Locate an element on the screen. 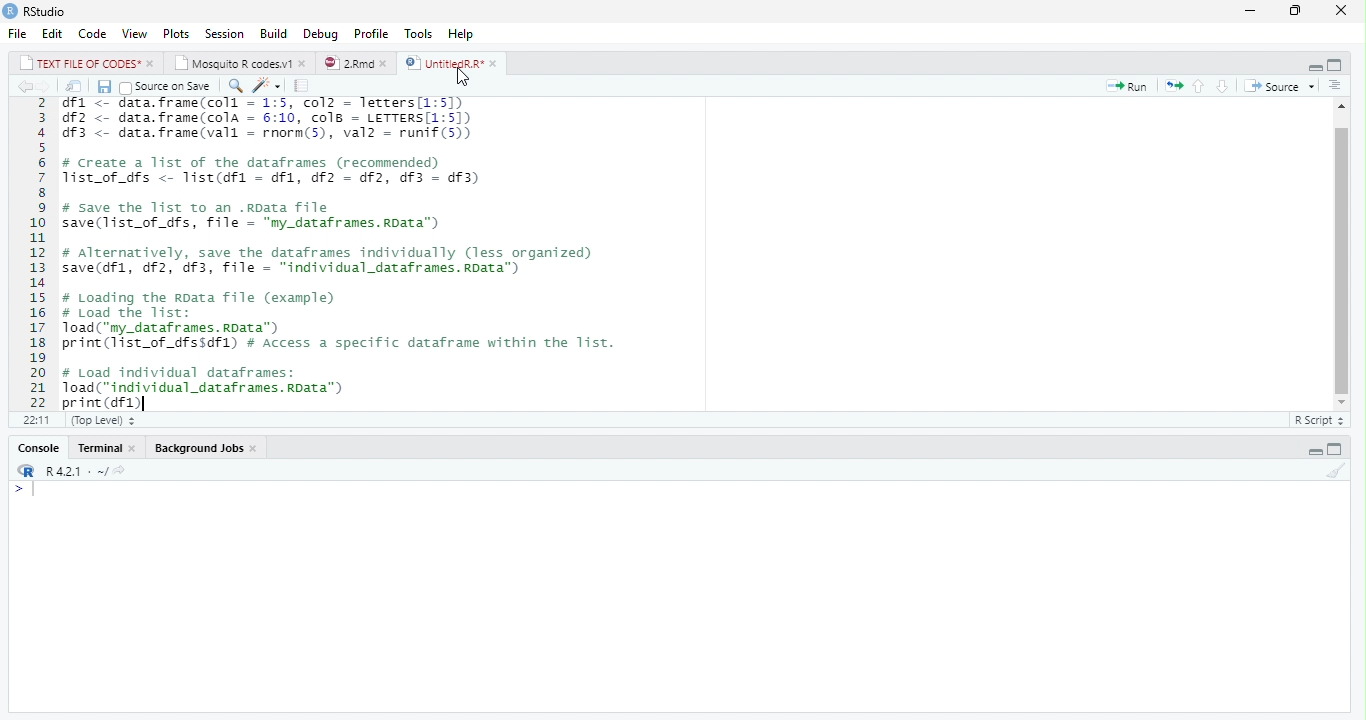 The width and height of the screenshot is (1366, 720). TEXT FILE OF CODES* is located at coordinates (84, 62).